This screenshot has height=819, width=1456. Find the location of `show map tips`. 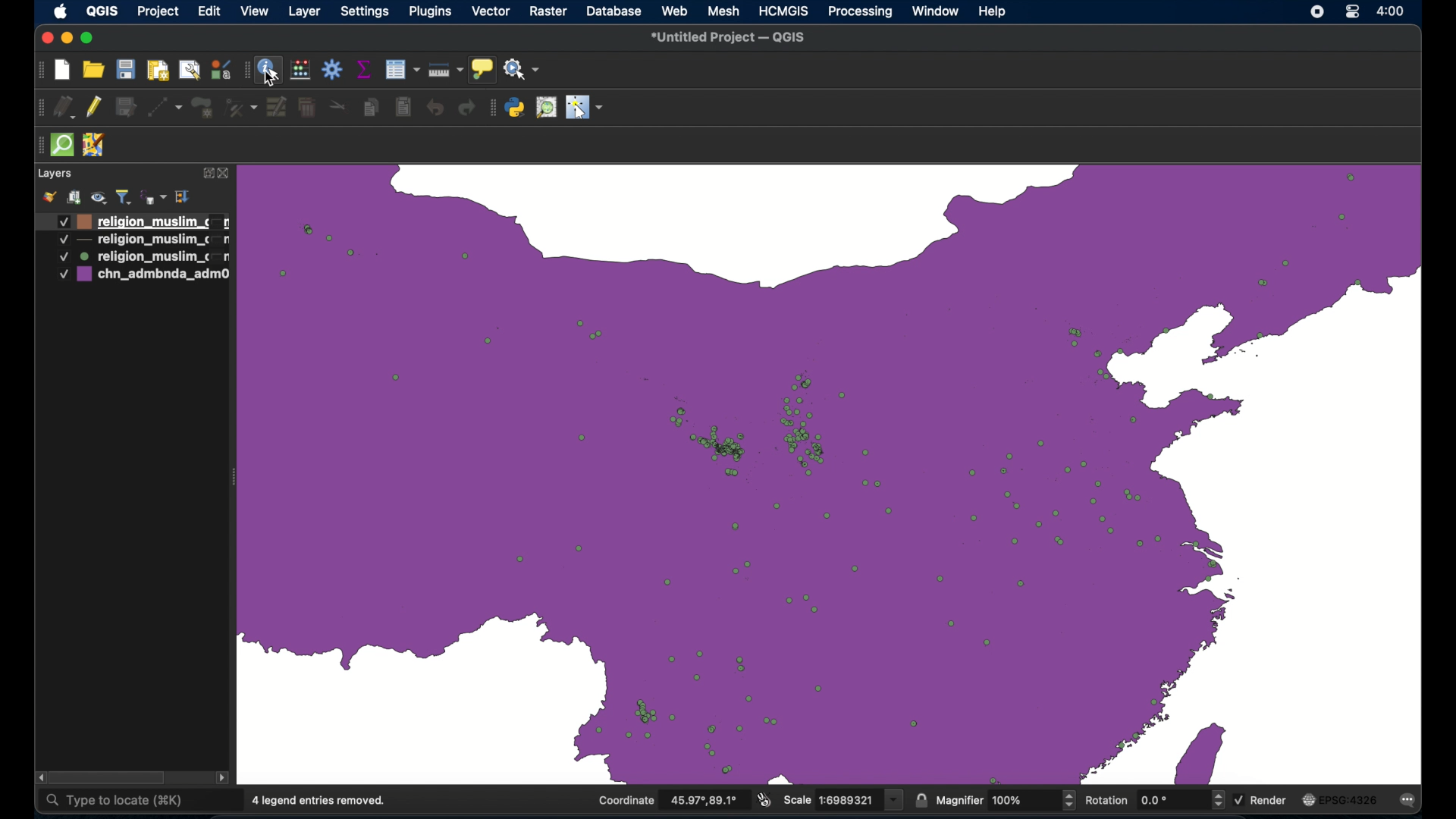

show map tips is located at coordinates (484, 69).